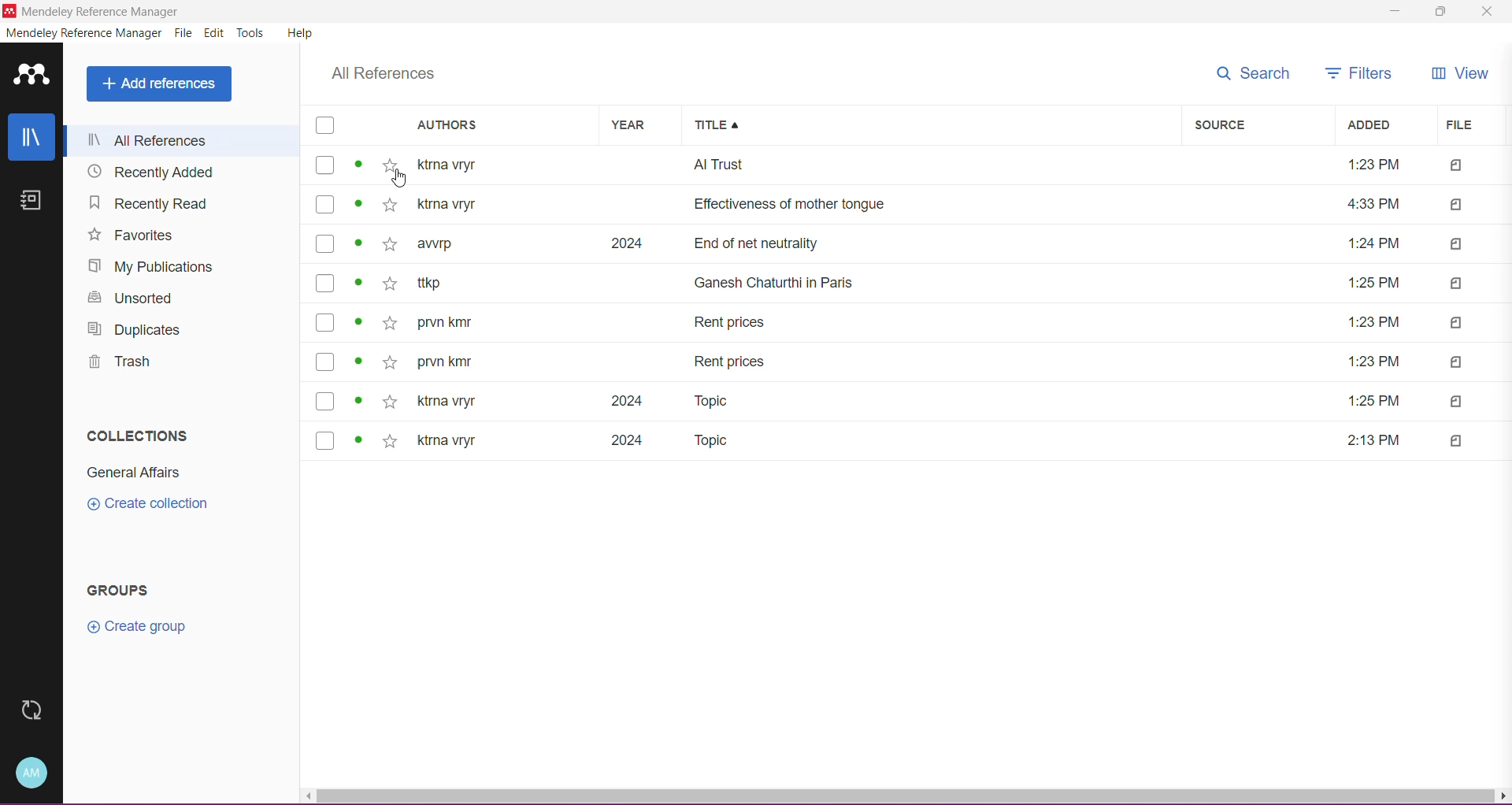 This screenshot has width=1512, height=805. Describe the element at coordinates (910, 165) in the screenshot. I see `ktrna vryr Al Trust 1:23 PM` at that location.